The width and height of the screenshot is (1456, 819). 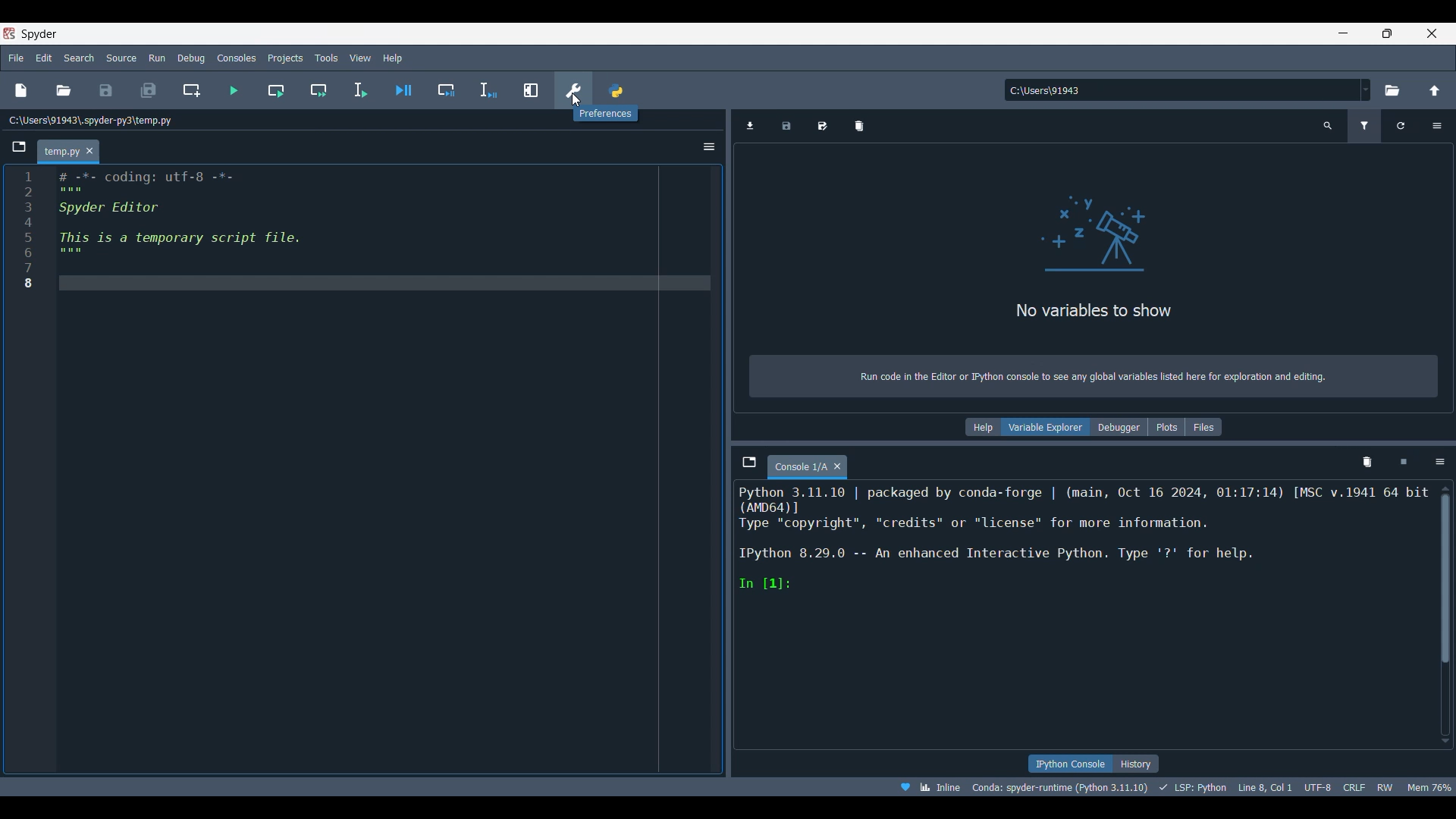 What do you see at coordinates (983, 427) in the screenshot?
I see `Help` at bounding box center [983, 427].